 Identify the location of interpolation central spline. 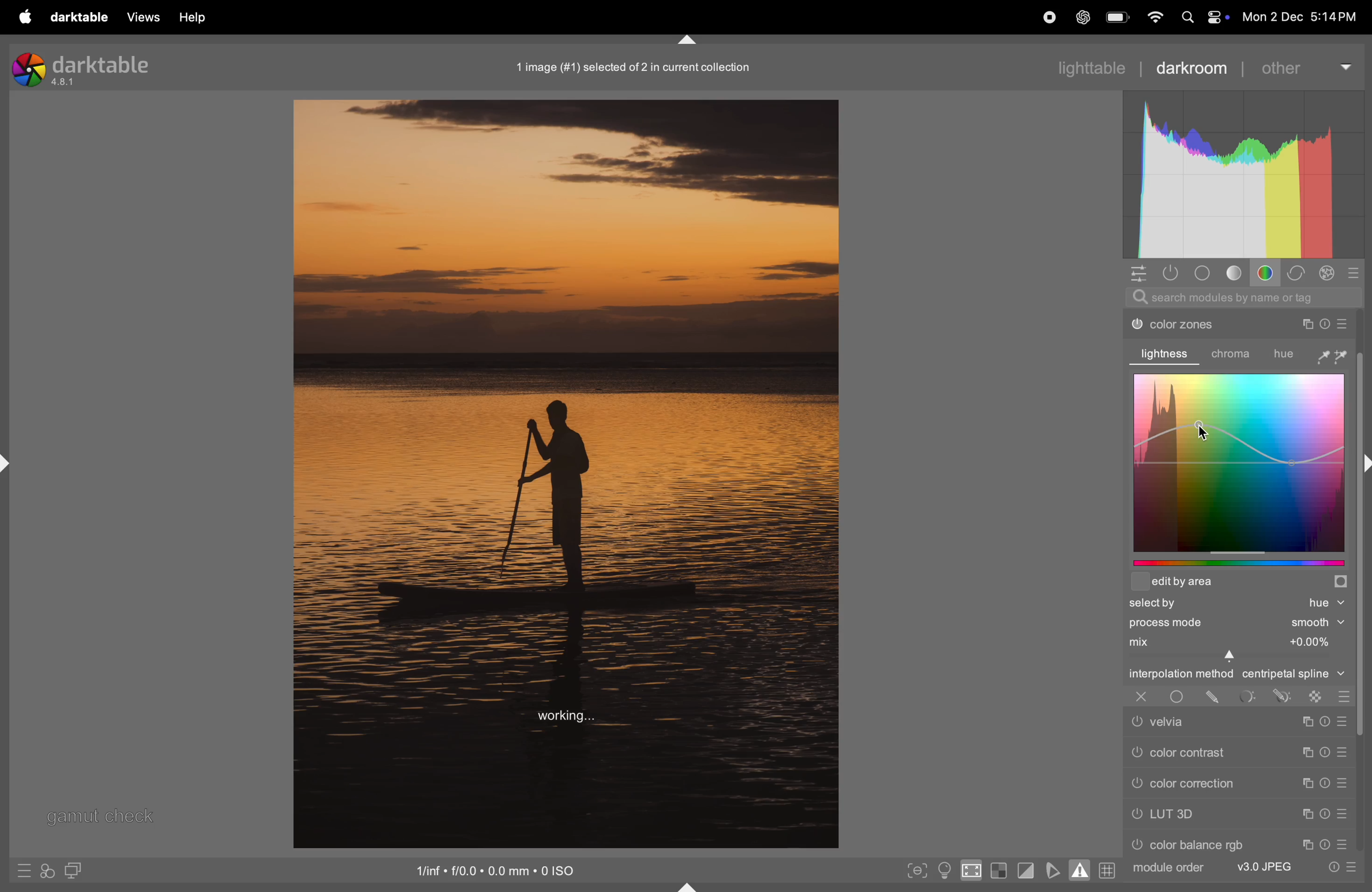
(1235, 675).